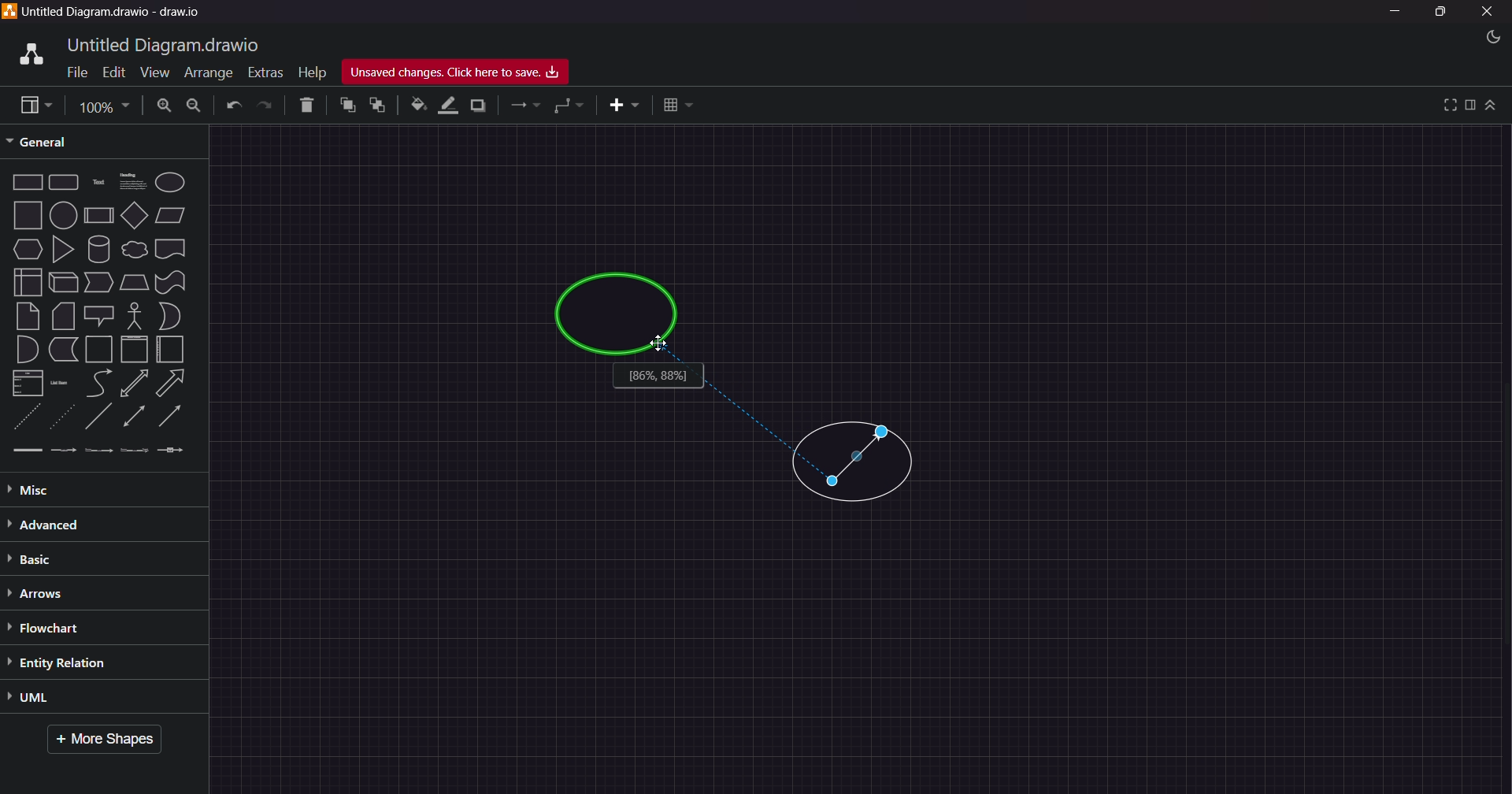  Describe the element at coordinates (148, 72) in the screenshot. I see `View` at that location.